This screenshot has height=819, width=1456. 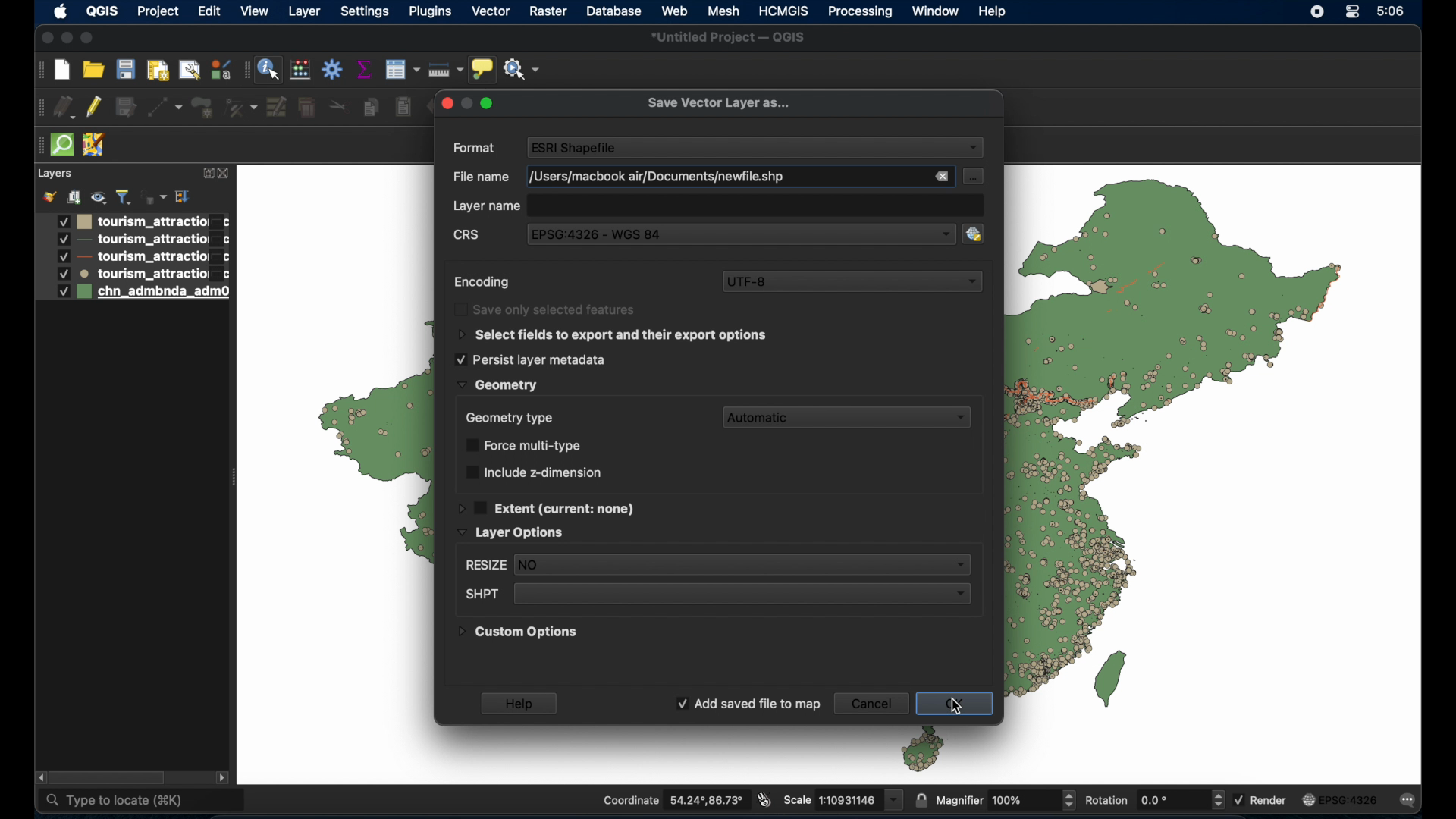 What do you see at coordinates (96, 108) in the screenshot?
I see `toggle editing` at bounding box center [96, 108].